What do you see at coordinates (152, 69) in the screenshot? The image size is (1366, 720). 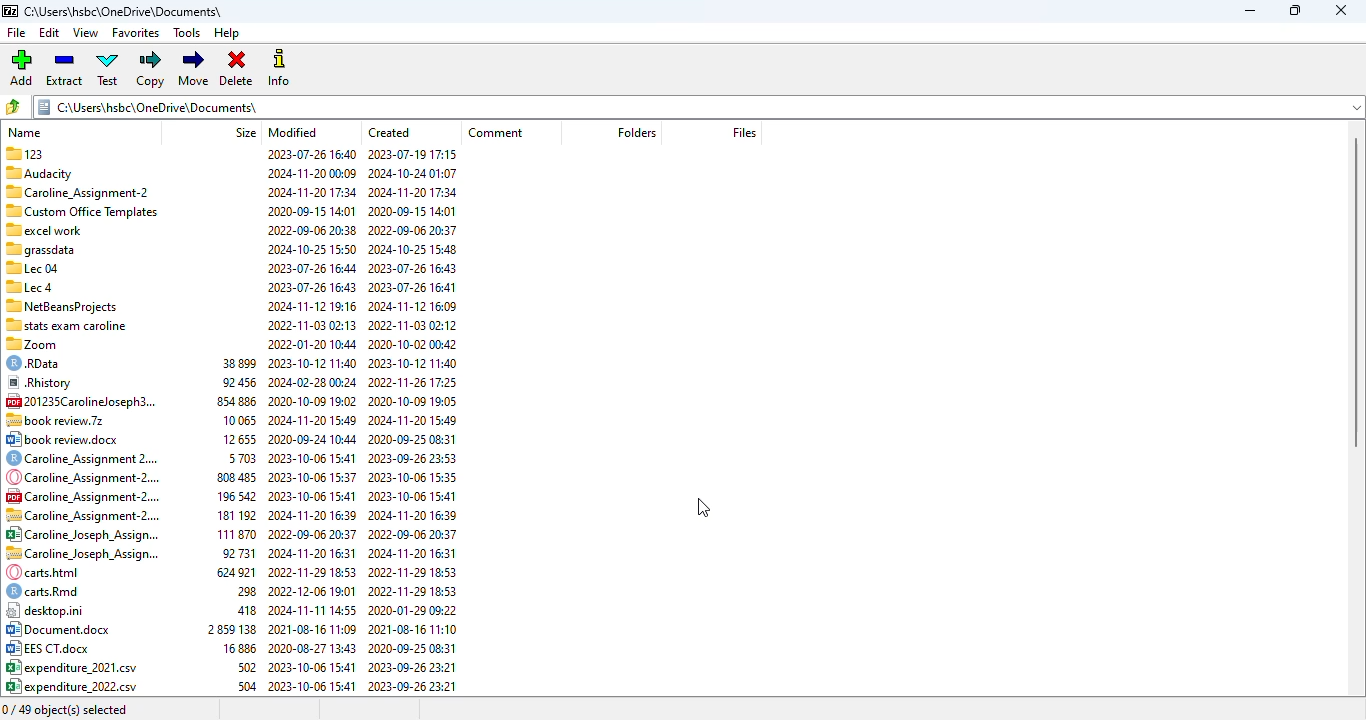 I see `copy` at bounding box center [152, 69].